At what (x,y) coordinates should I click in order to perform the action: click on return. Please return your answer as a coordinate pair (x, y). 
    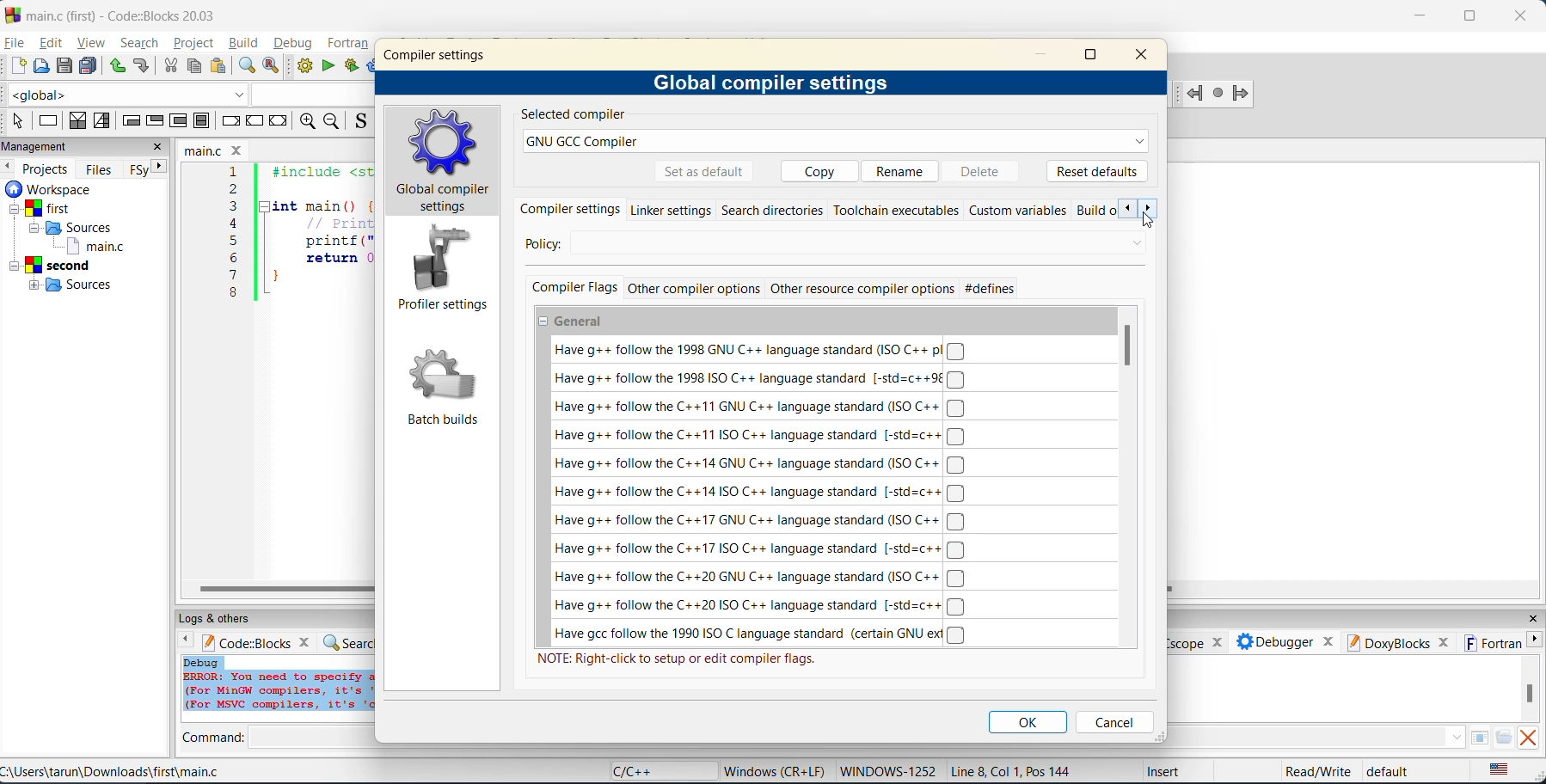
    Looking at the image, I should click on (281, 120).